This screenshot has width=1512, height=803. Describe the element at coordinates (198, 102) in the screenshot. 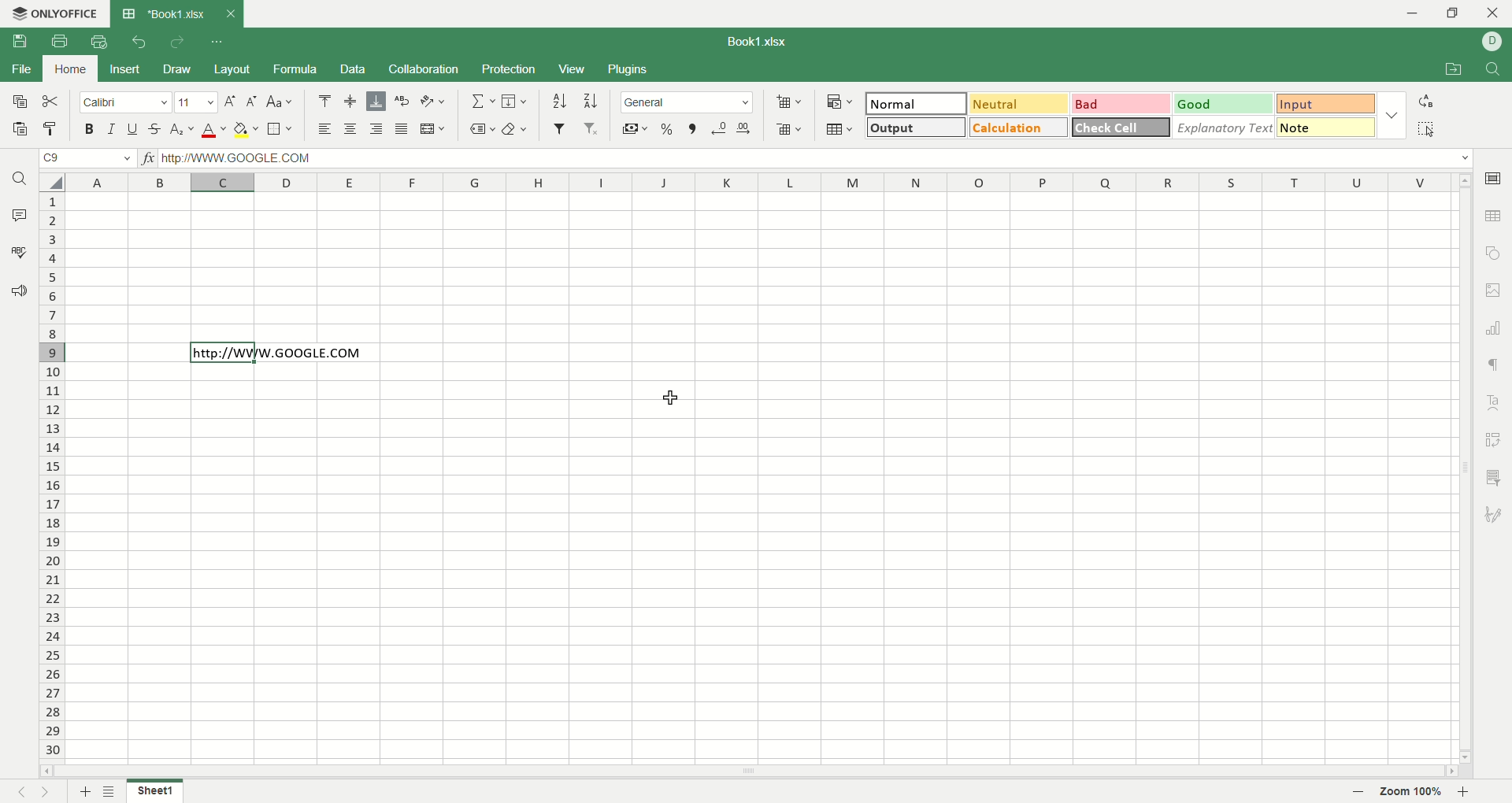

I see `font size` at that location.